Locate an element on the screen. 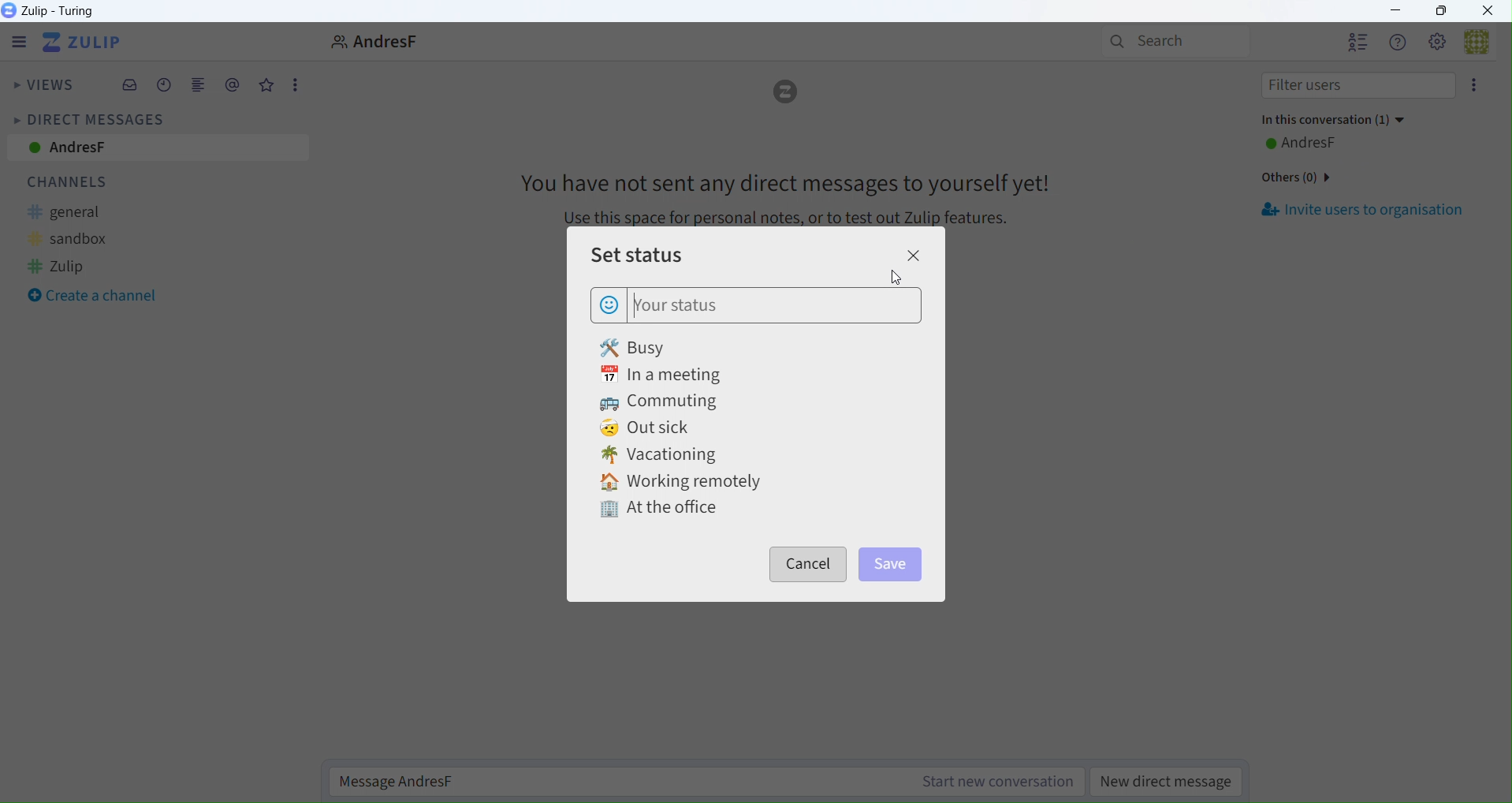 The width and height of the screenshot is (1512, 803). Others is located at coordinates (1295, 177).